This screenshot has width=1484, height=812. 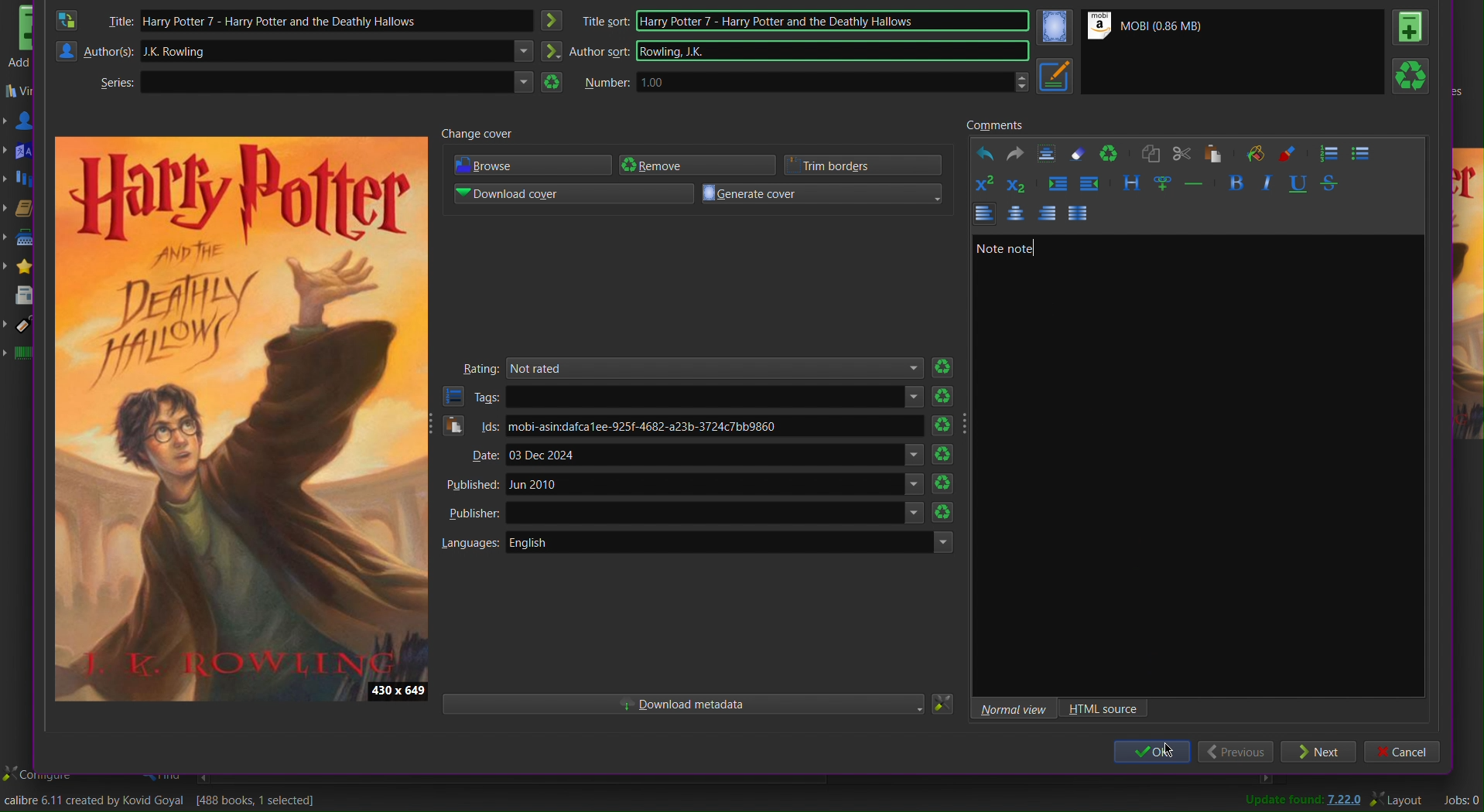 I want to click on Authors, so click(x=28, y=121).